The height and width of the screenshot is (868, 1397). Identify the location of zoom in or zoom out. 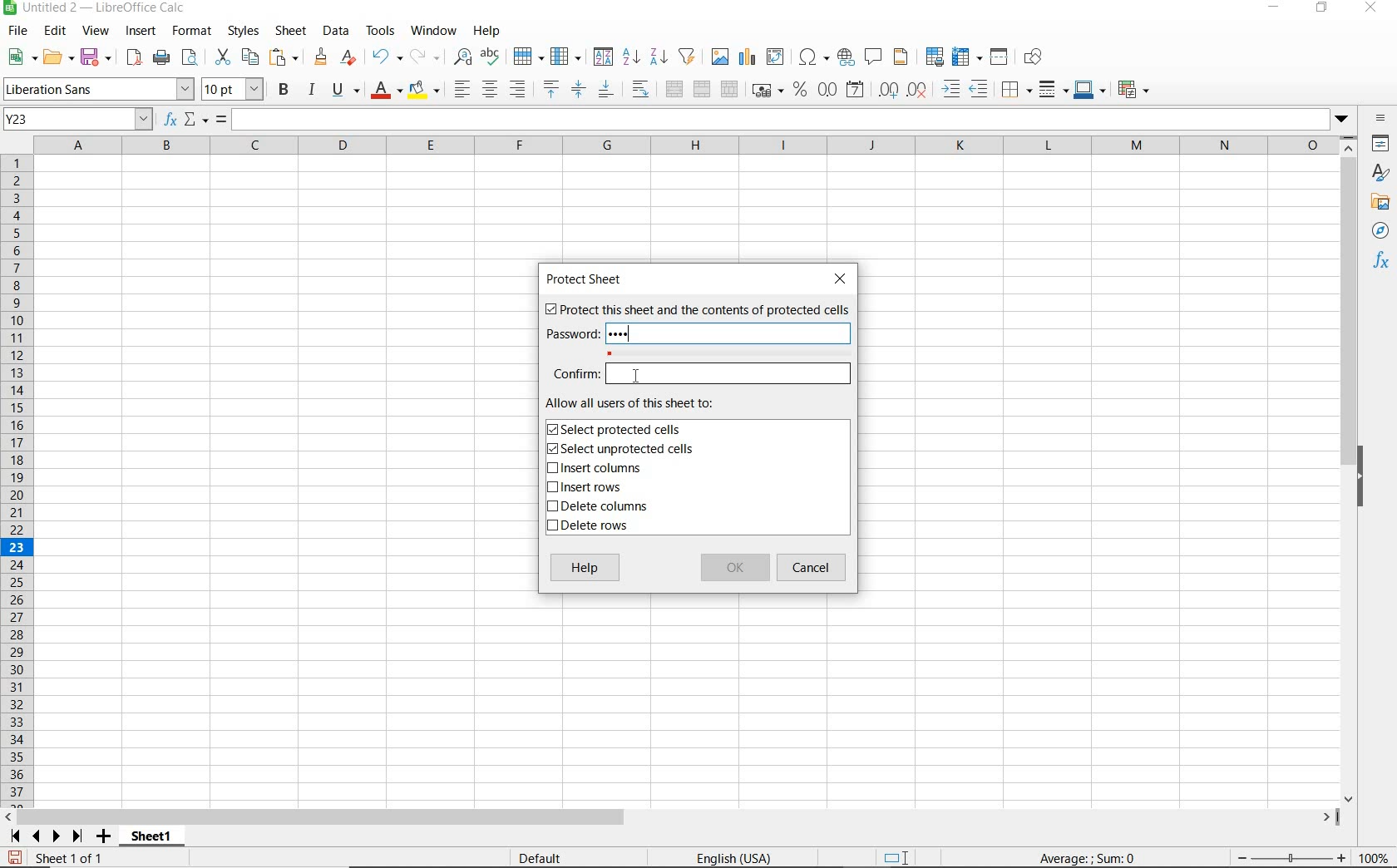
(1283, 856).